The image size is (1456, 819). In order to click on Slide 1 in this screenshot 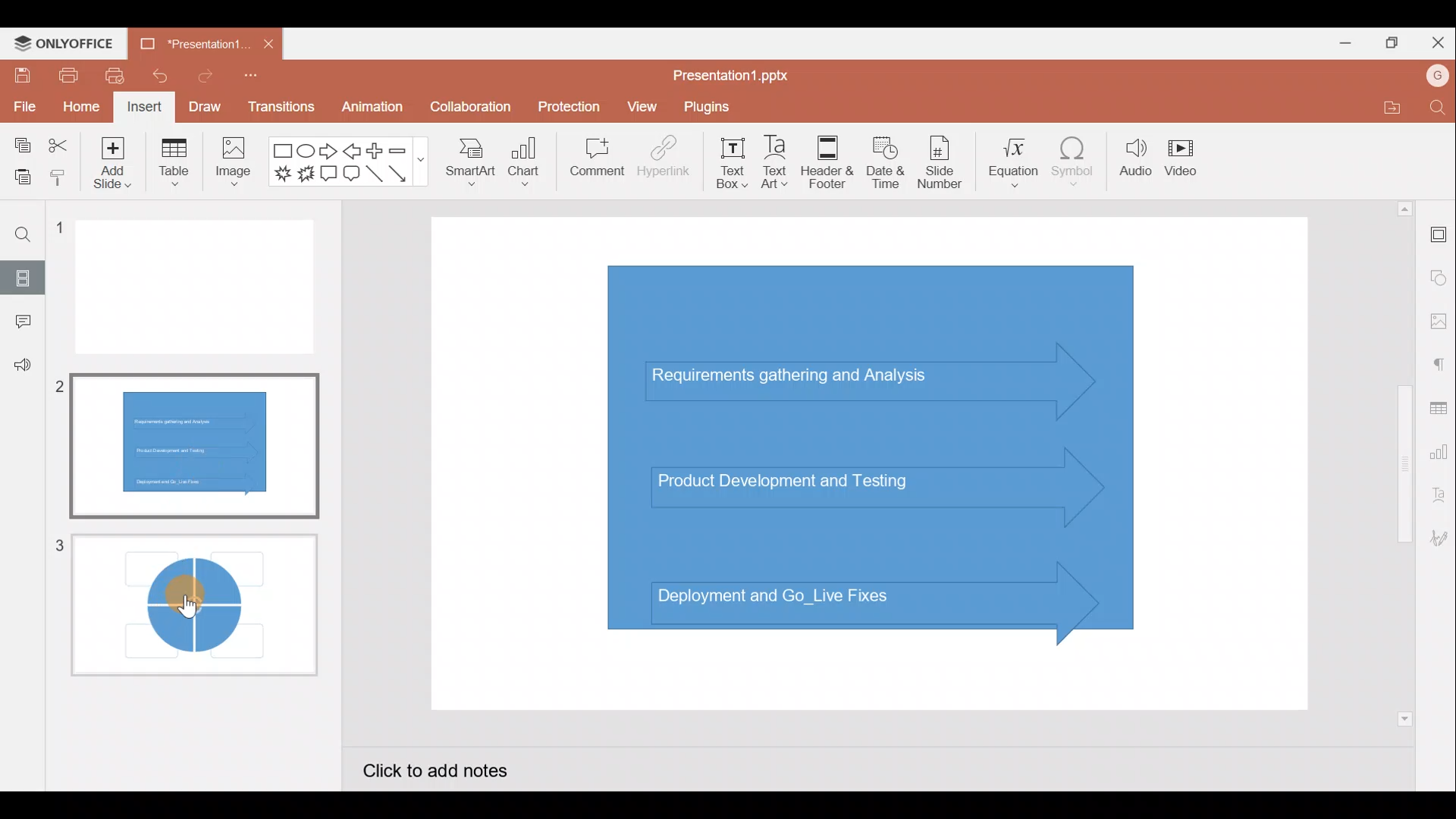, I will do `click(201, 288)`.